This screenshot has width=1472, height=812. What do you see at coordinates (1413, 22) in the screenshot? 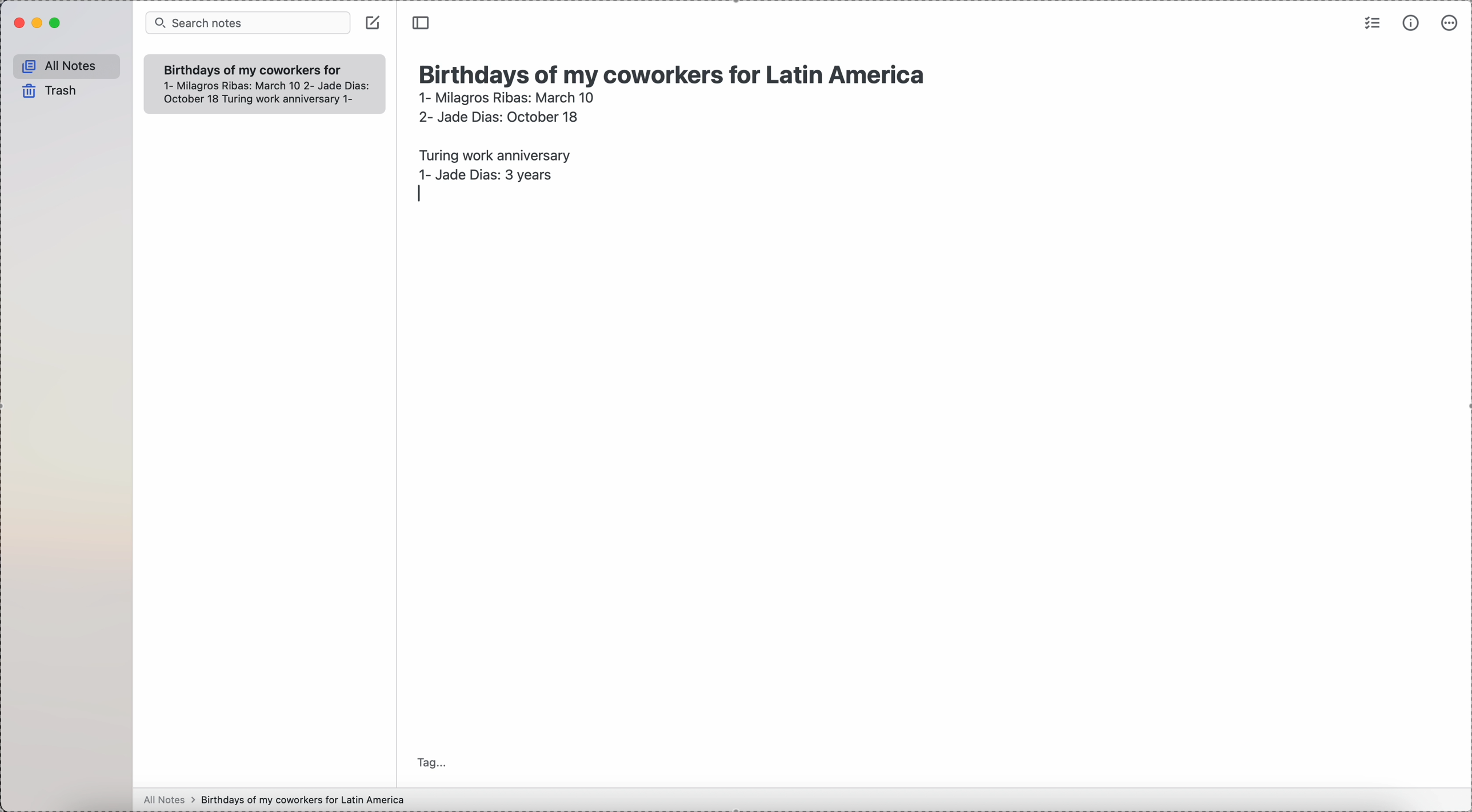
I see `metrics` at bounding box center [1413, 22].